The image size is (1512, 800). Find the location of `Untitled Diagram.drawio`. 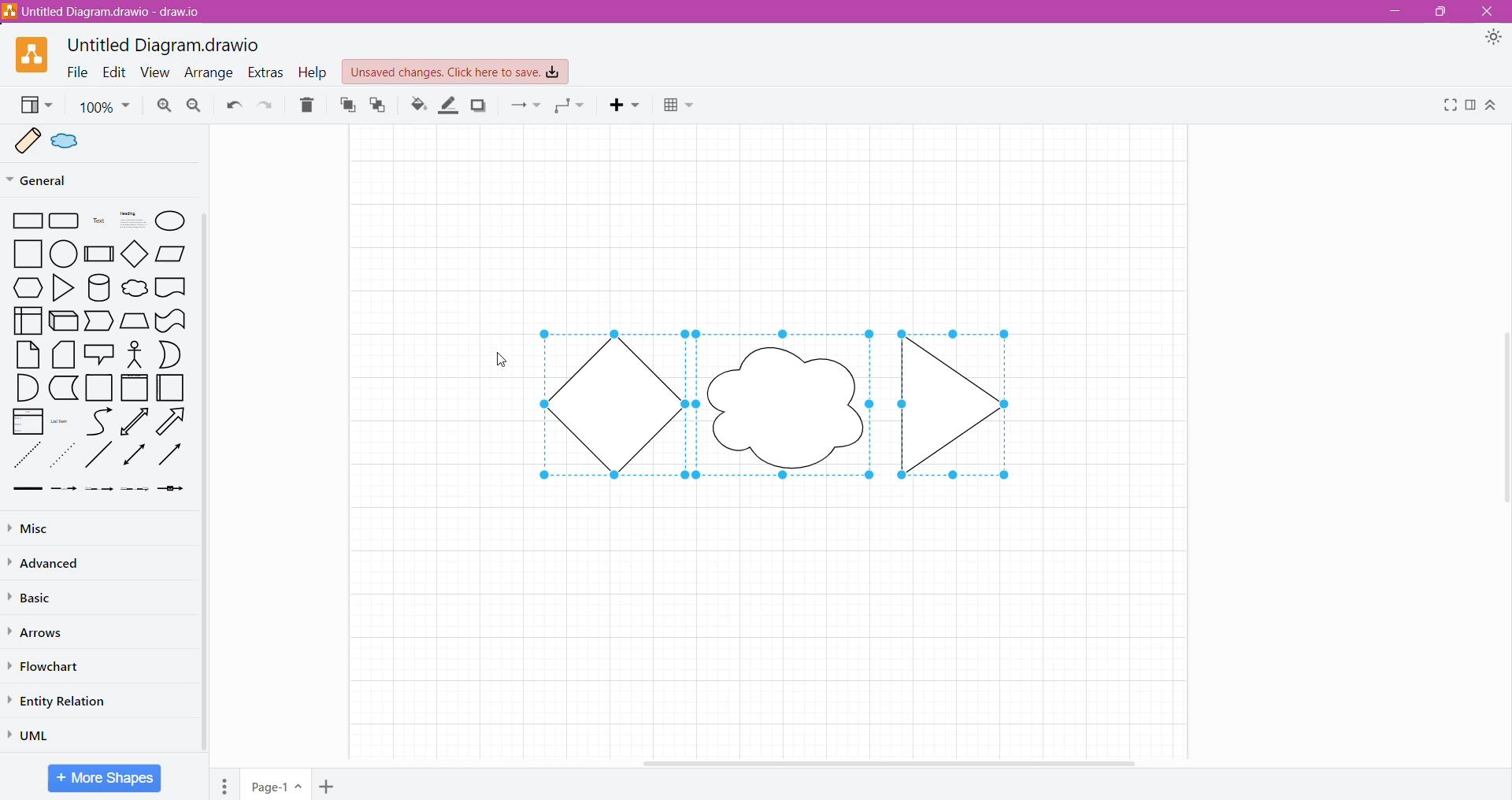

Untitled Diagram.drawio is located at coordinates (162, 43).